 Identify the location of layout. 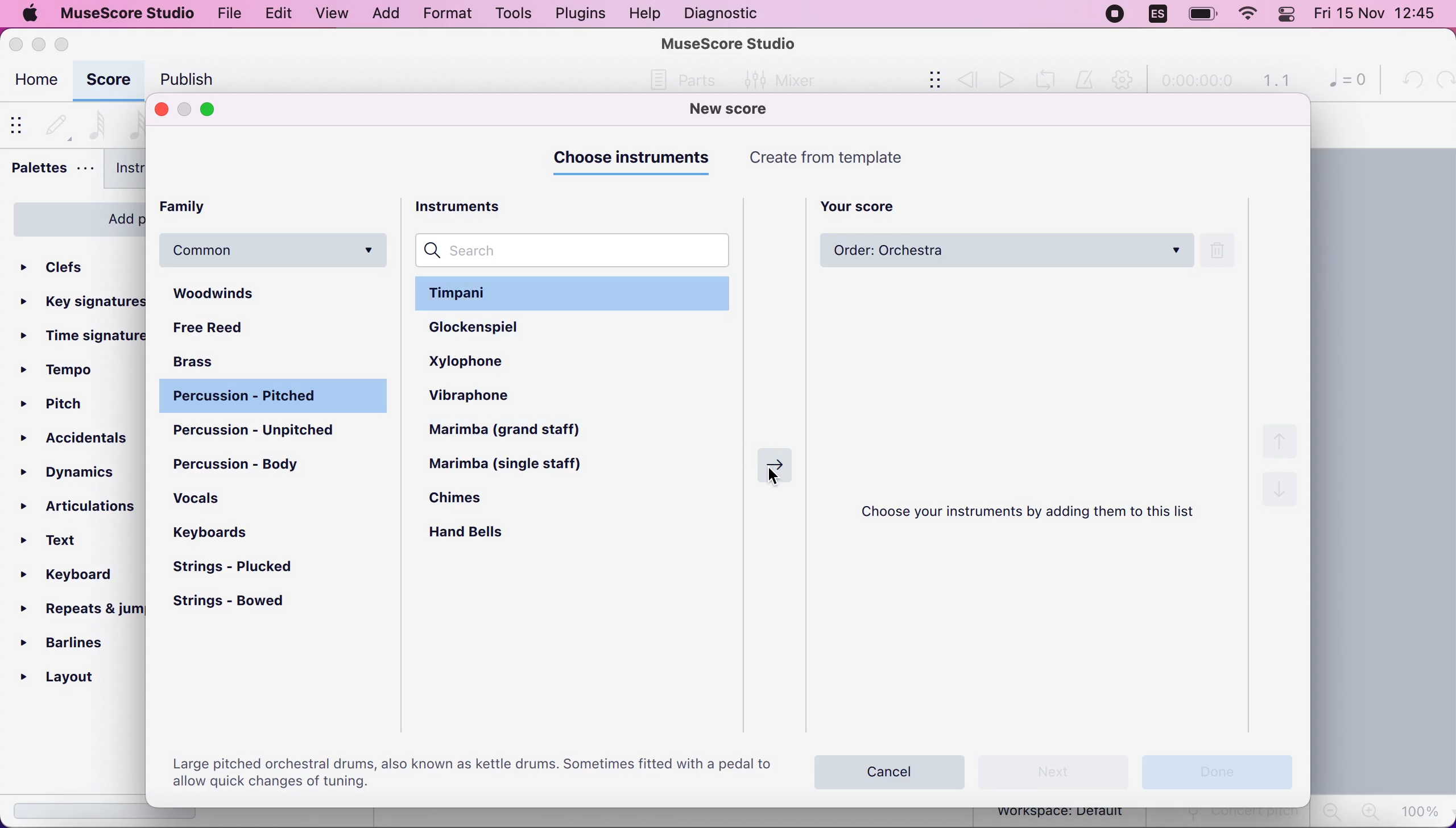
(76, 677).